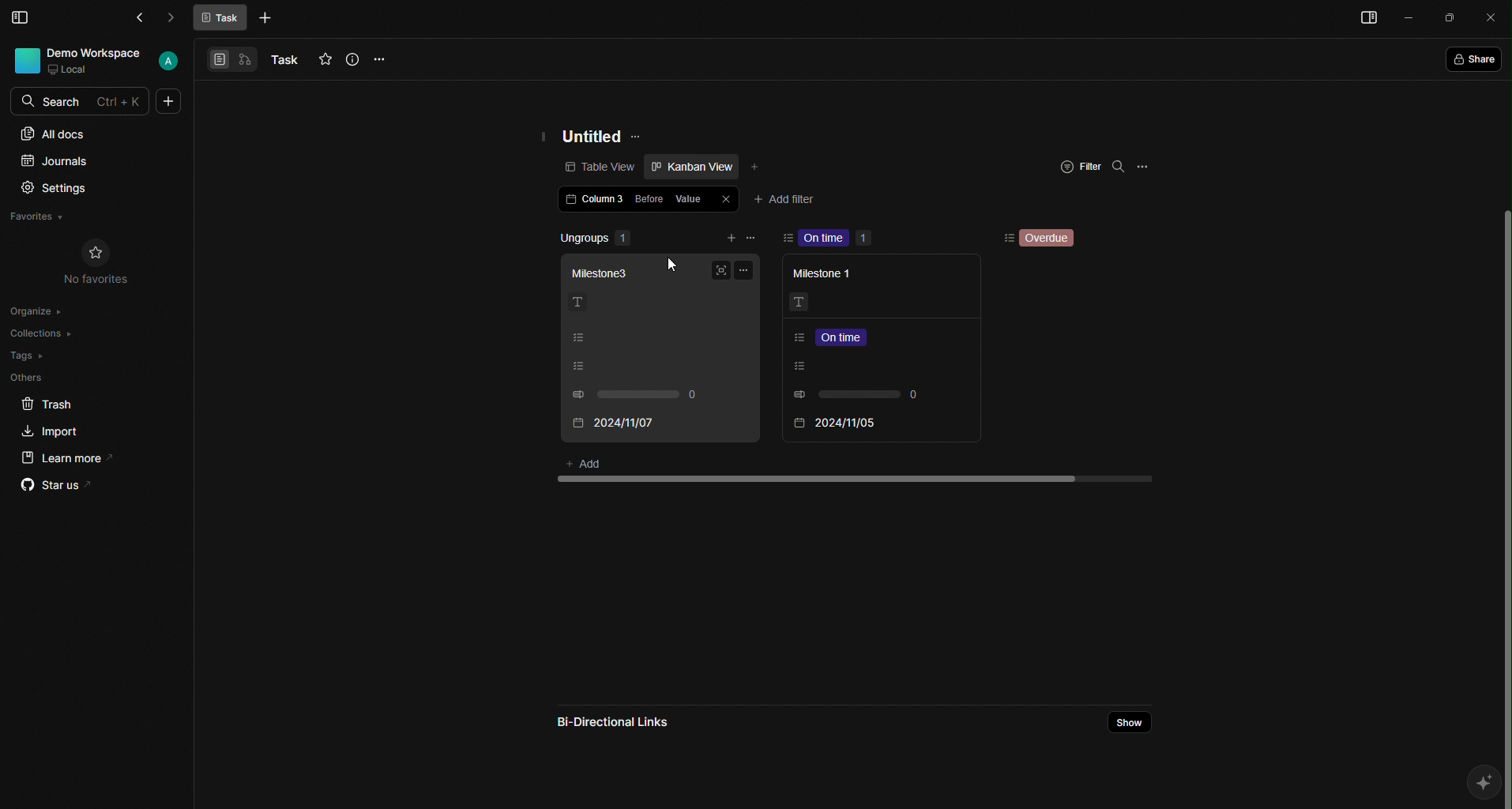  Describe the element at coordinates (851, 366) in the screenshot. I see `Listing` at that location.